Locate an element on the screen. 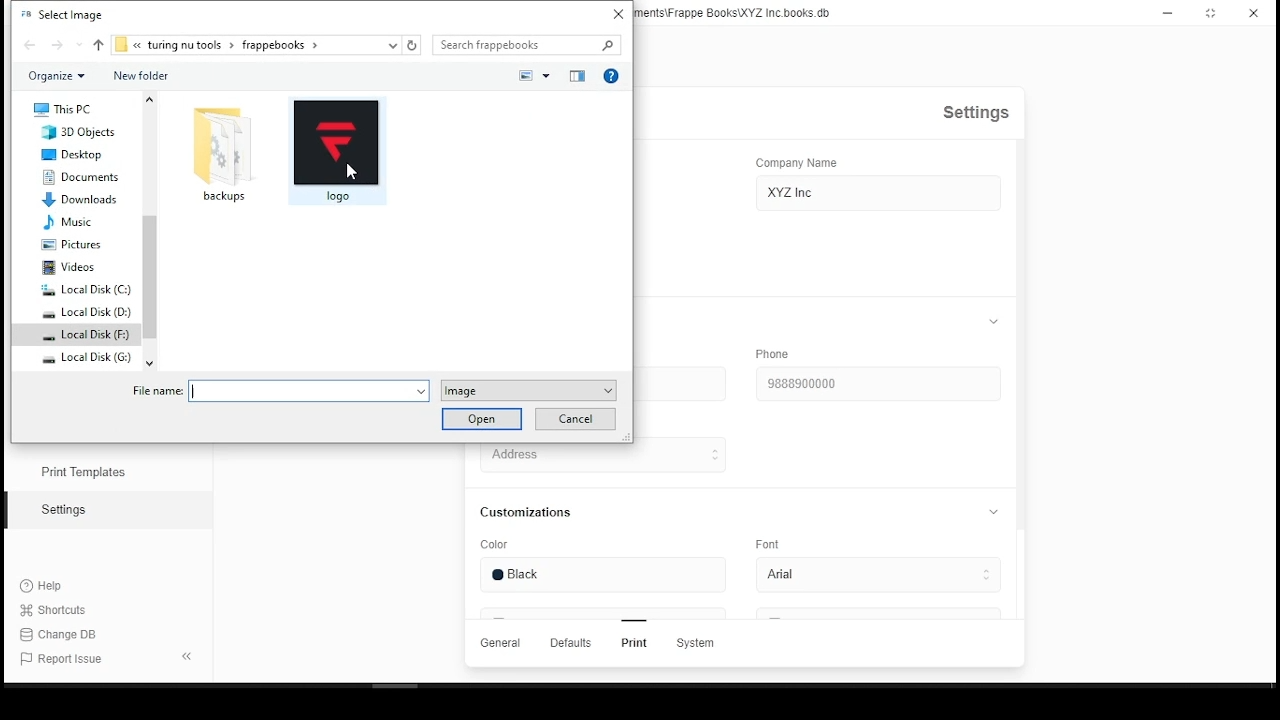 This screenshot has width=1280, height=720. Color is located at coordinates (494, 545).